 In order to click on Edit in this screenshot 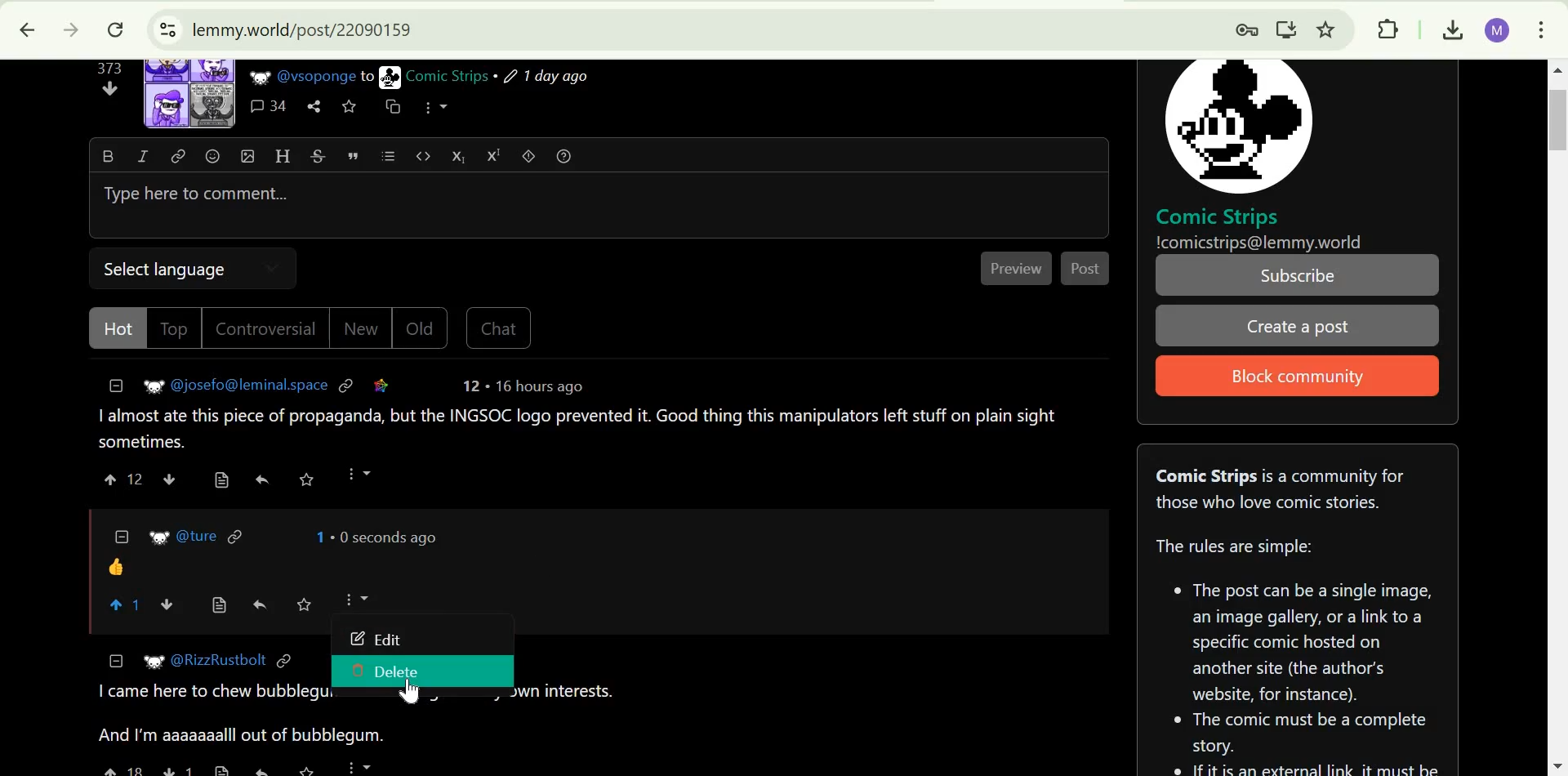, I will do `click(376, 639)`.